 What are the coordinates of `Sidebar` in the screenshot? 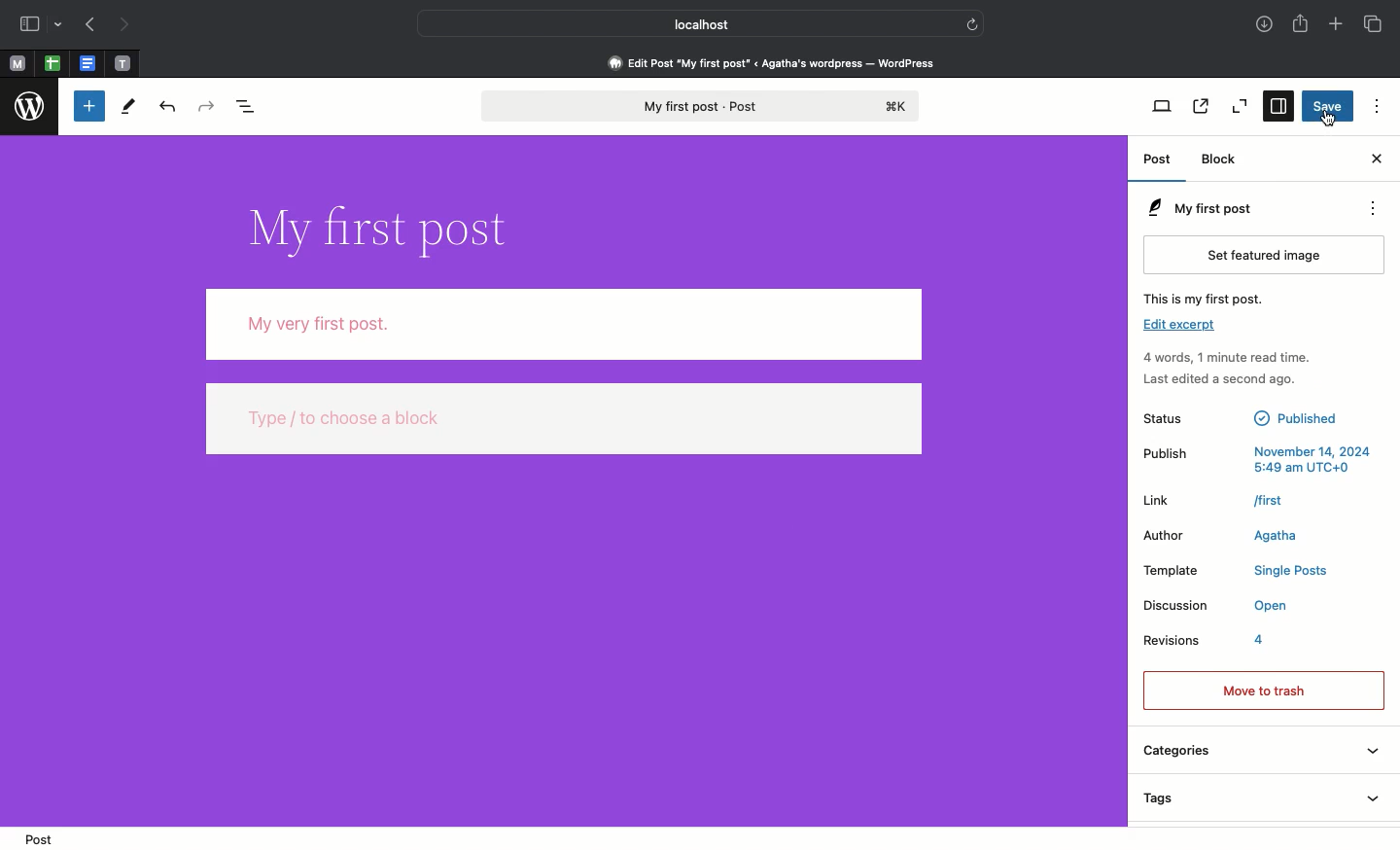 It's located at (42, 25).